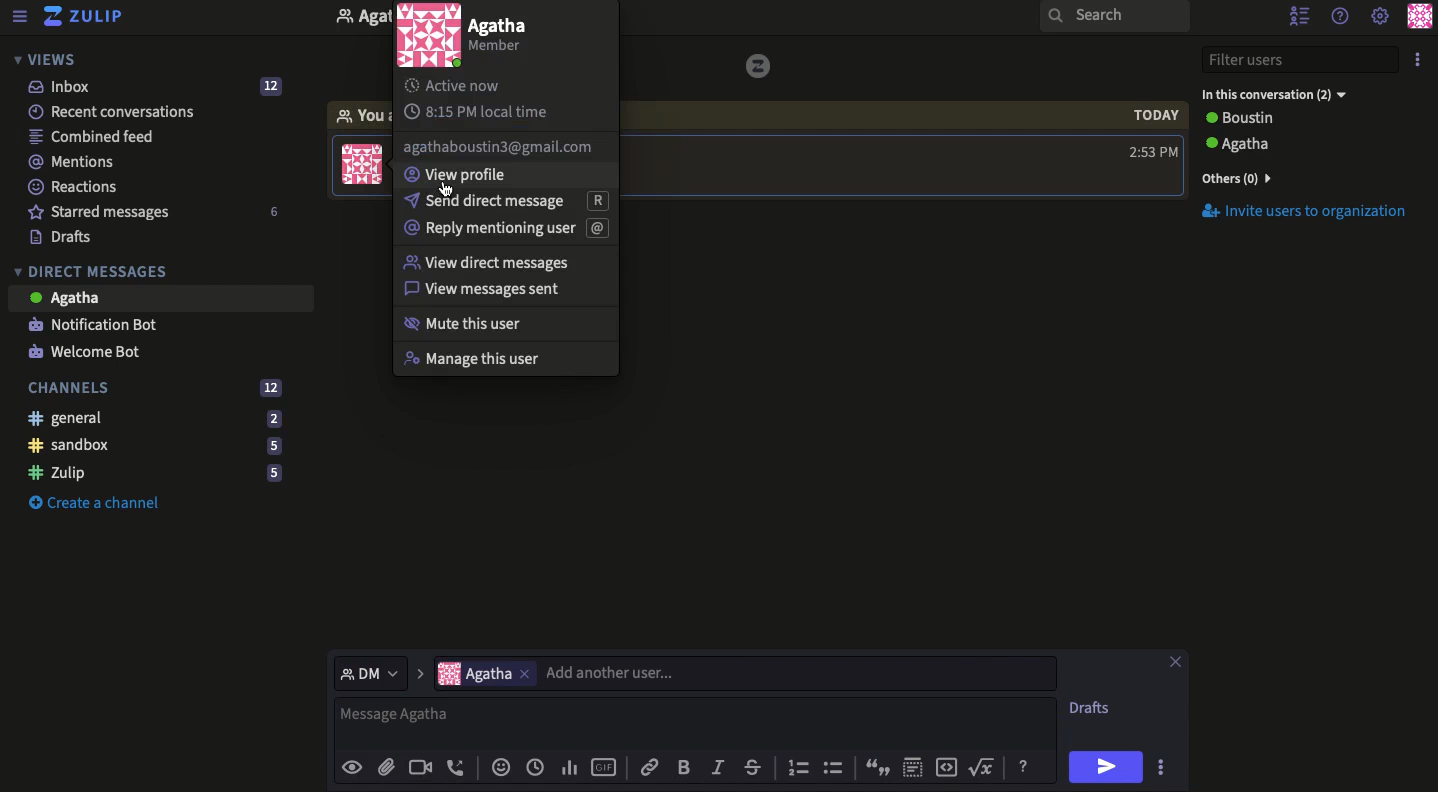 The width and height of the screenshot is (1438, 792). What do you see at coordinates (1025, 766) in the screenshot?
I see `Help` at bounding box center [1025, 766].